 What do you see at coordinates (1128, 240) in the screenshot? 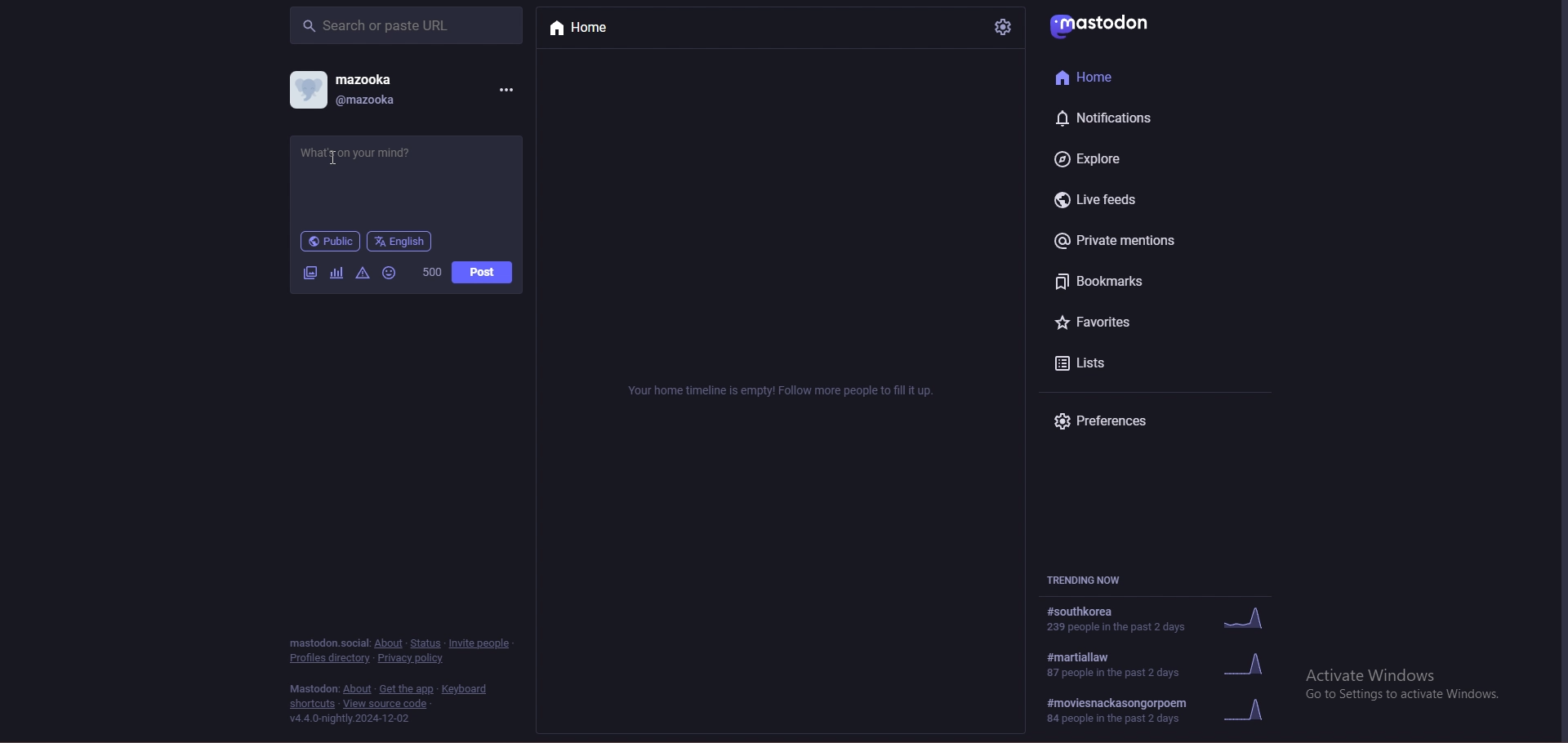
I see `private mentions` at bounding box center [1128, 240].